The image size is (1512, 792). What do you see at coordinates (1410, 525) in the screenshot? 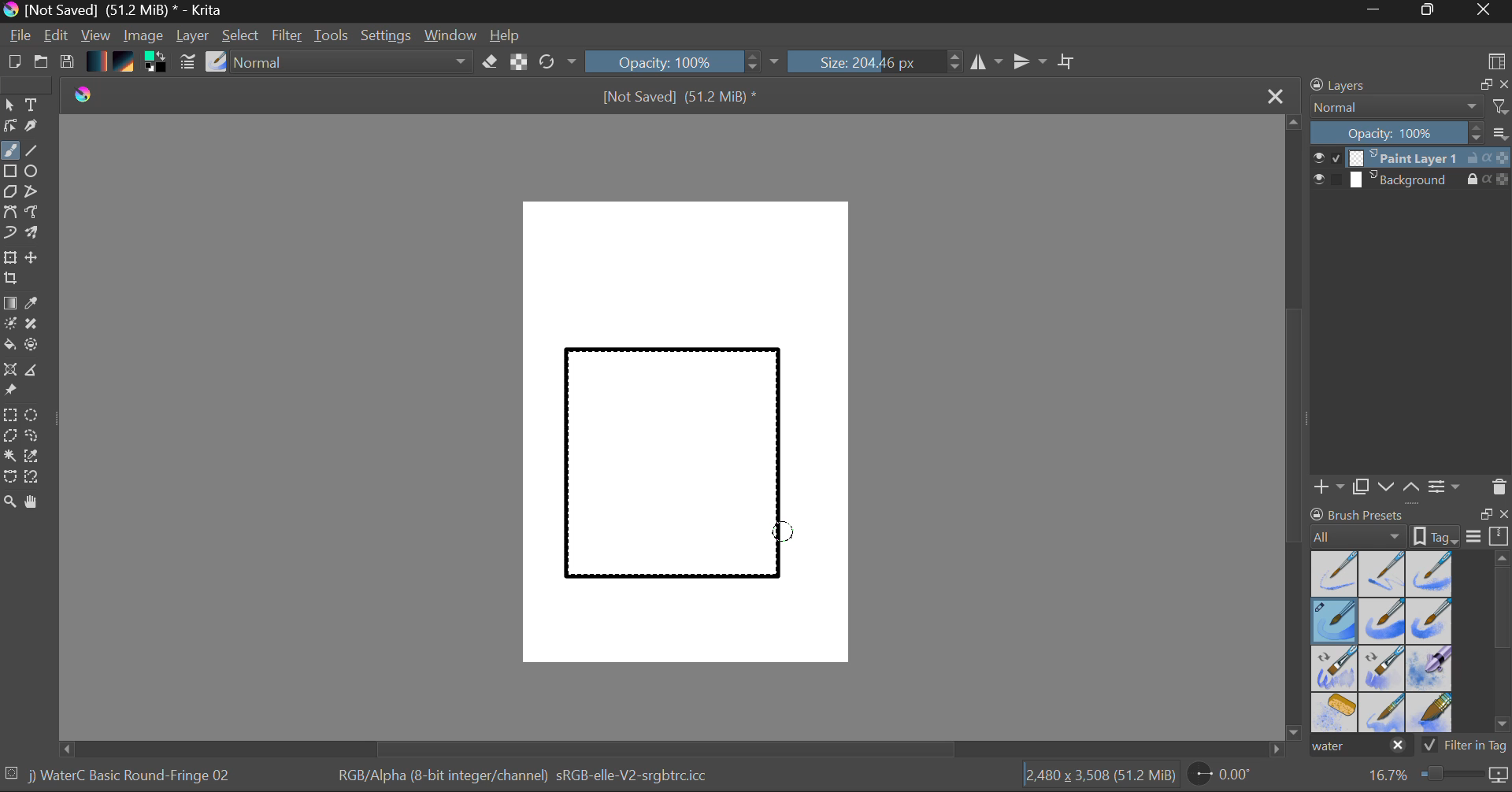
I see `Brush presets docket` at bounding box center [1410, 525].